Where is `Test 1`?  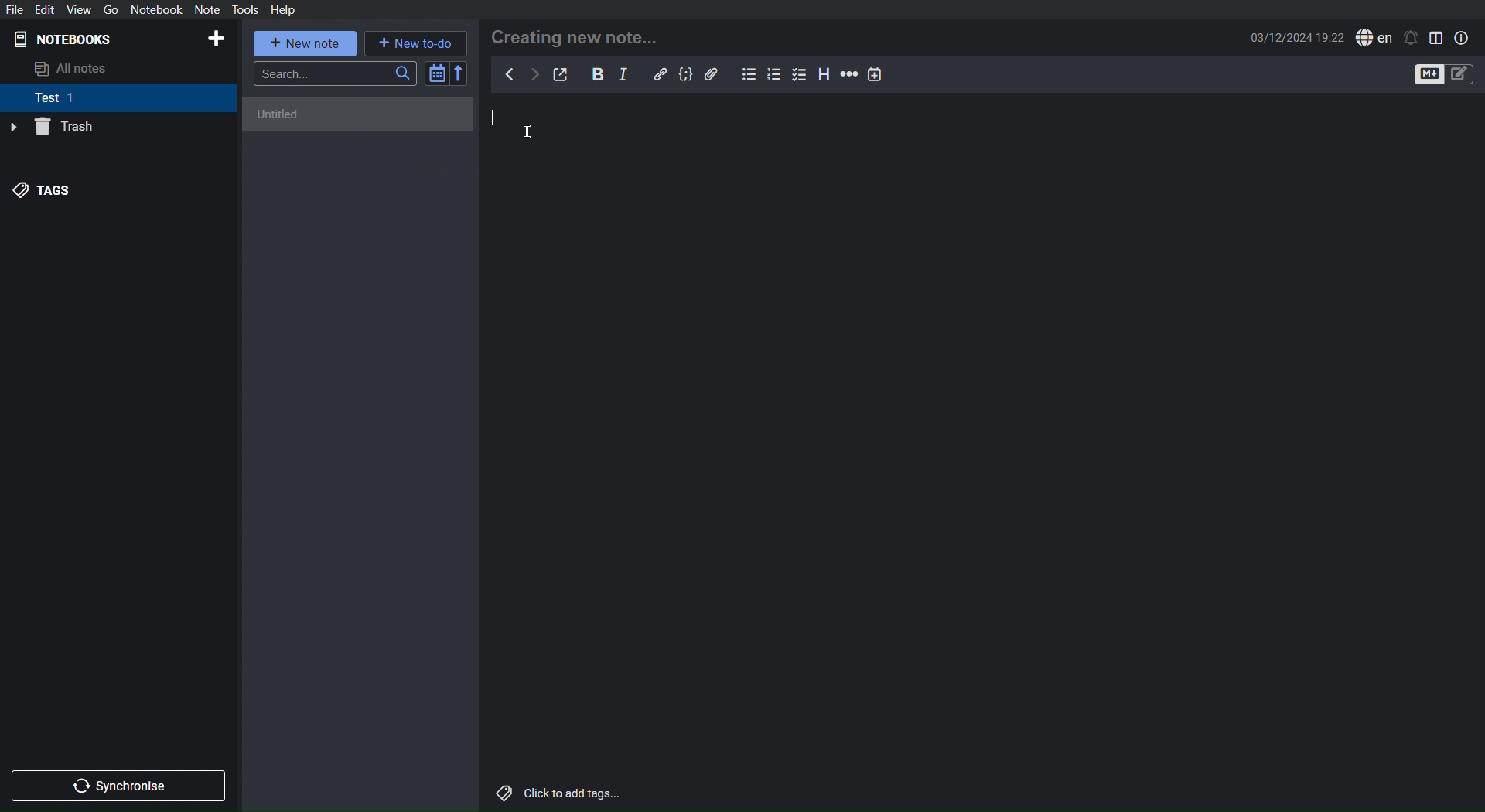 Test 1 is located at coordinates (57, 98).